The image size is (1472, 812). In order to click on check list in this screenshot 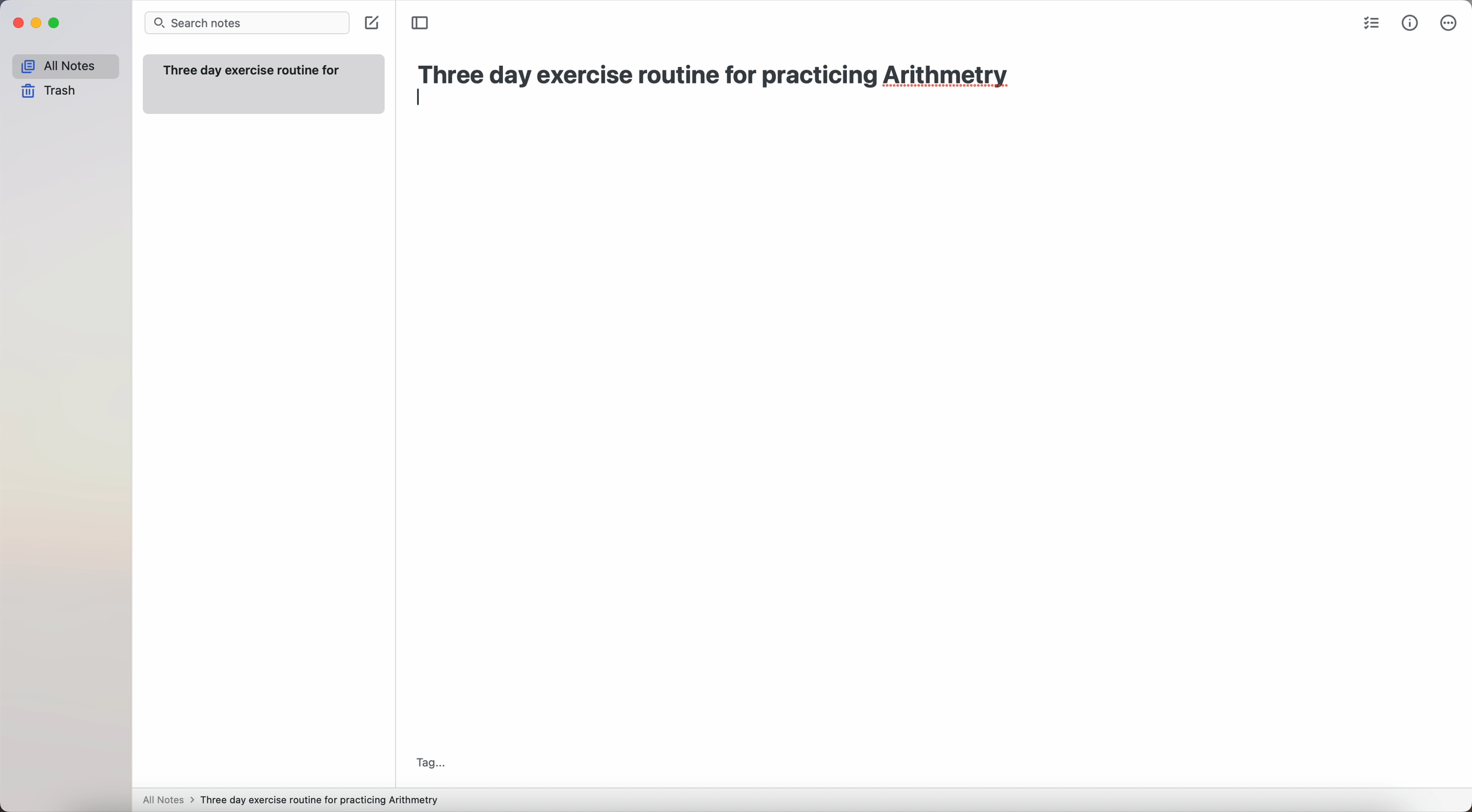, I will do `click(1370, 24)`.